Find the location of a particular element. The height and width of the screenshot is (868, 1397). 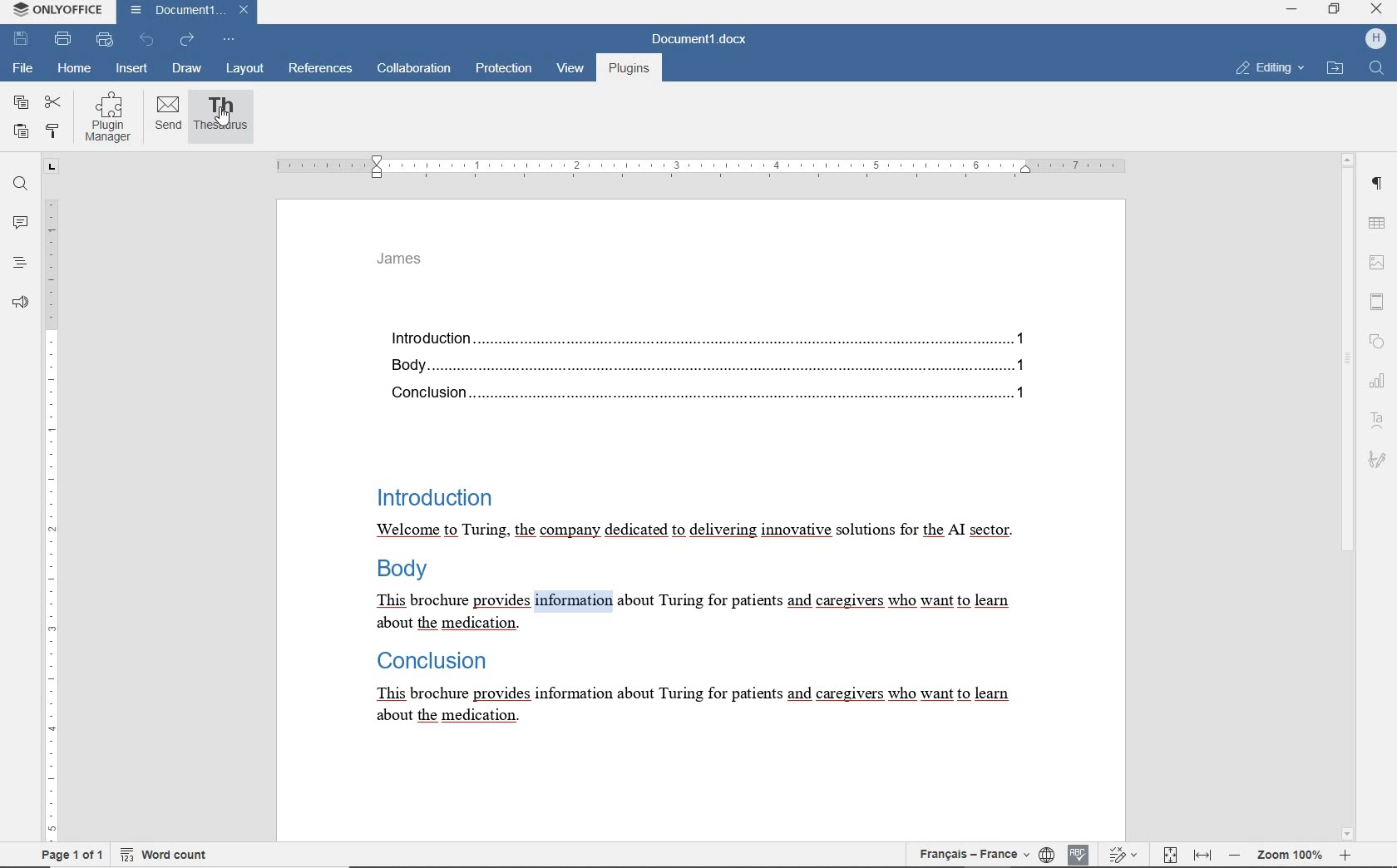

DOCUMENT NAME is located at coordinates (706, 40).